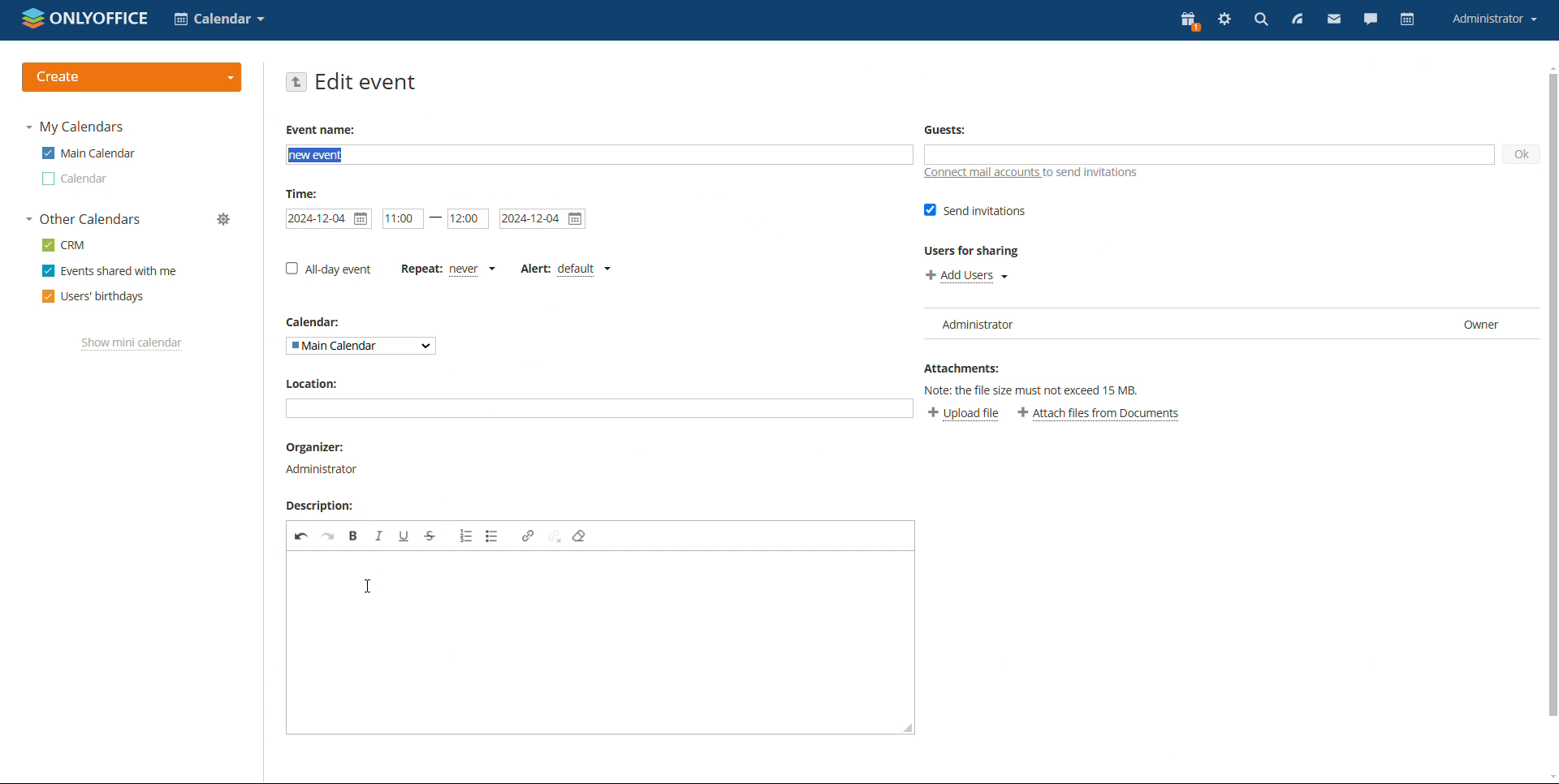 Image resolution: width=1559 pixels, height=784 pixels. What do you see at coordinates (354, 536) in the screenshot?
I see `bold` at bounding box center [354, 536].